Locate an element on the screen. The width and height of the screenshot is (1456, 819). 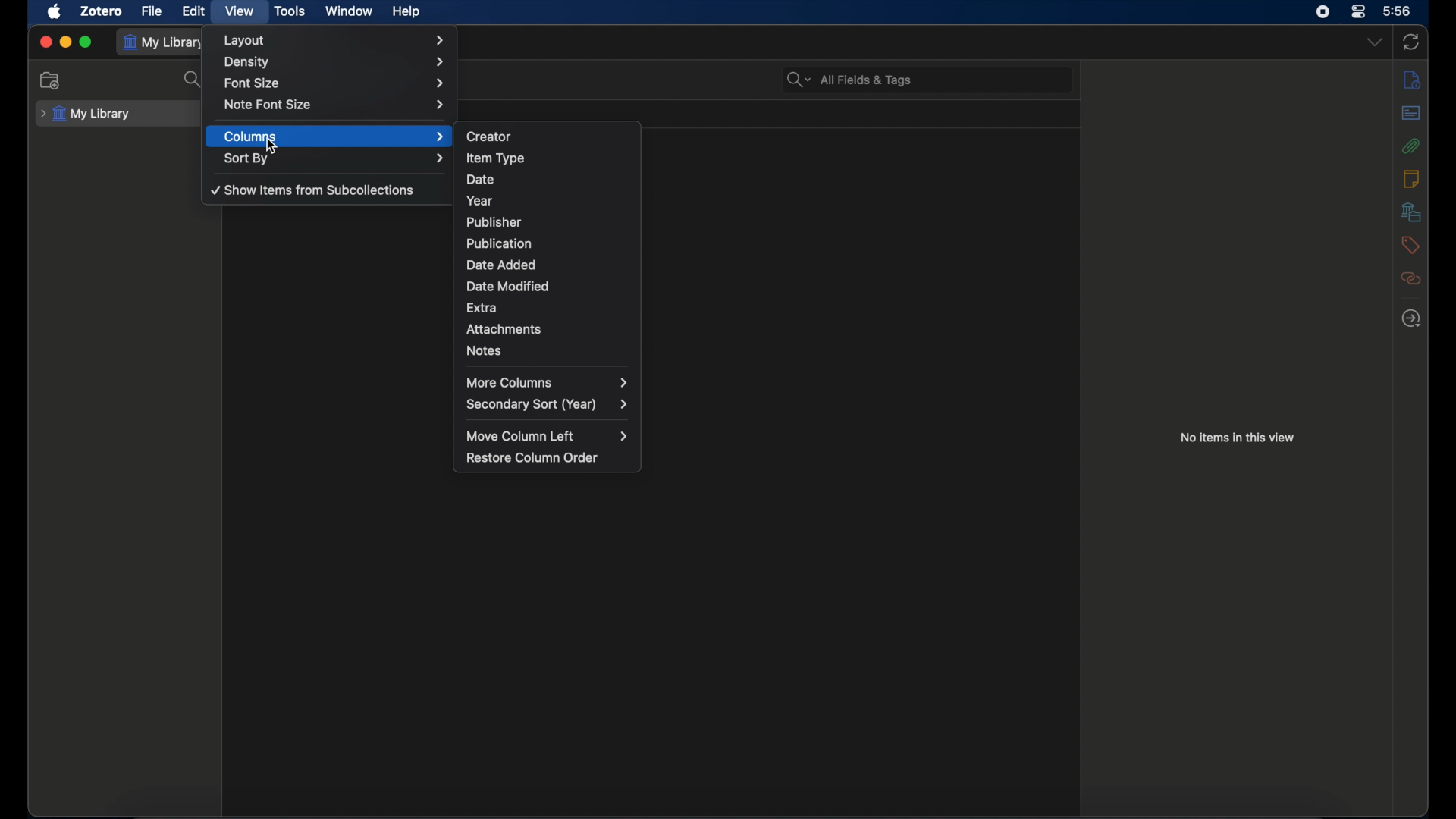
window is located at coordinates (347, 11).